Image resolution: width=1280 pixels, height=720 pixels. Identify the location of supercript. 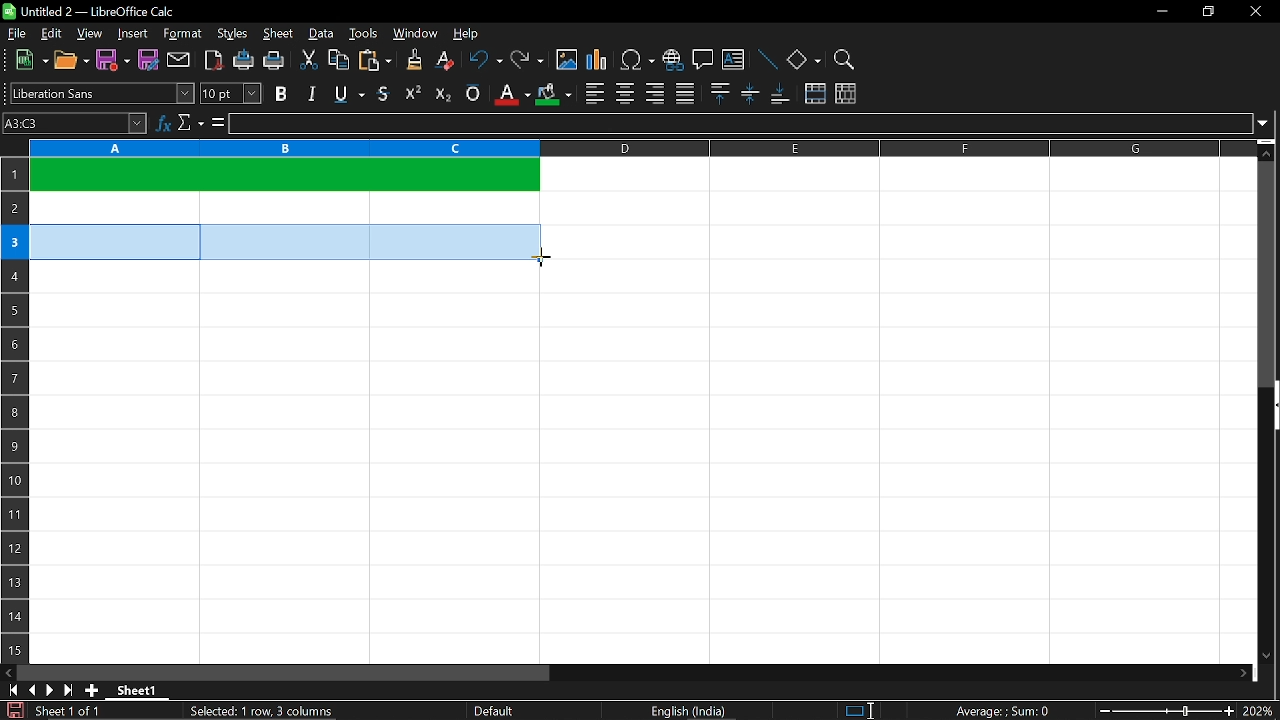
(413, 93).